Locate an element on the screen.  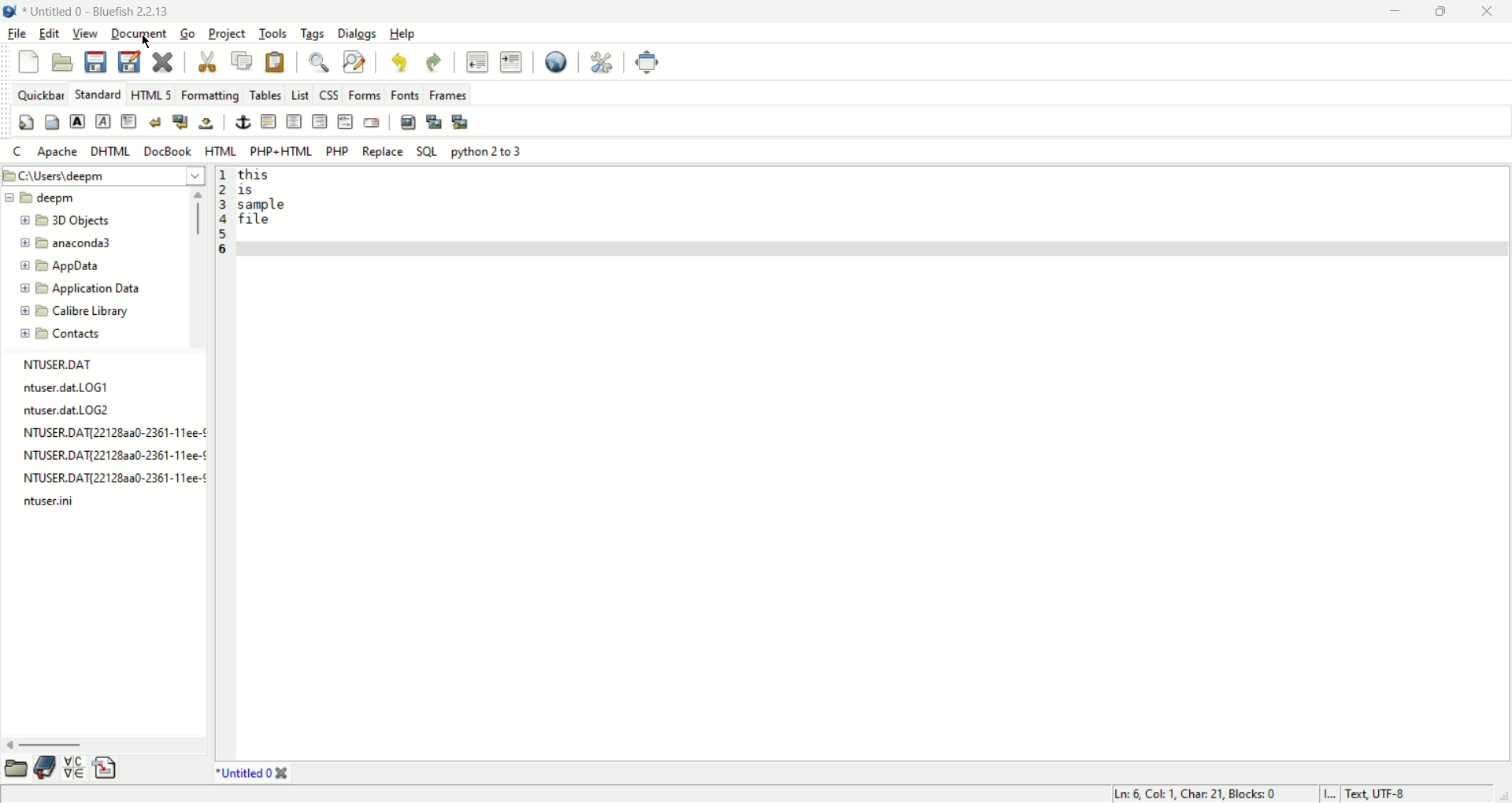
minimize is located at coordinates (1395, 13).